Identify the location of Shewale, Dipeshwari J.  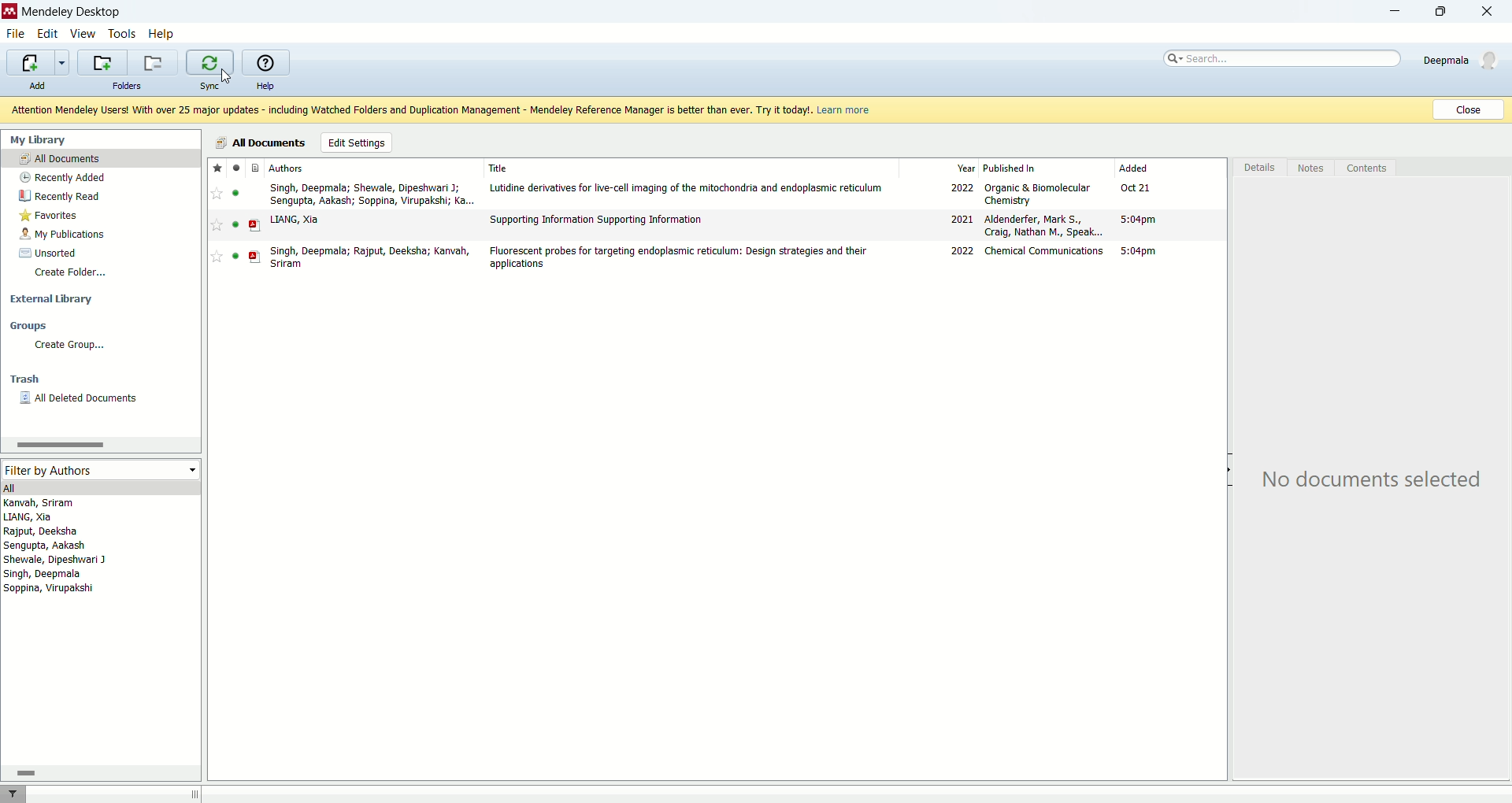
(58, 561).